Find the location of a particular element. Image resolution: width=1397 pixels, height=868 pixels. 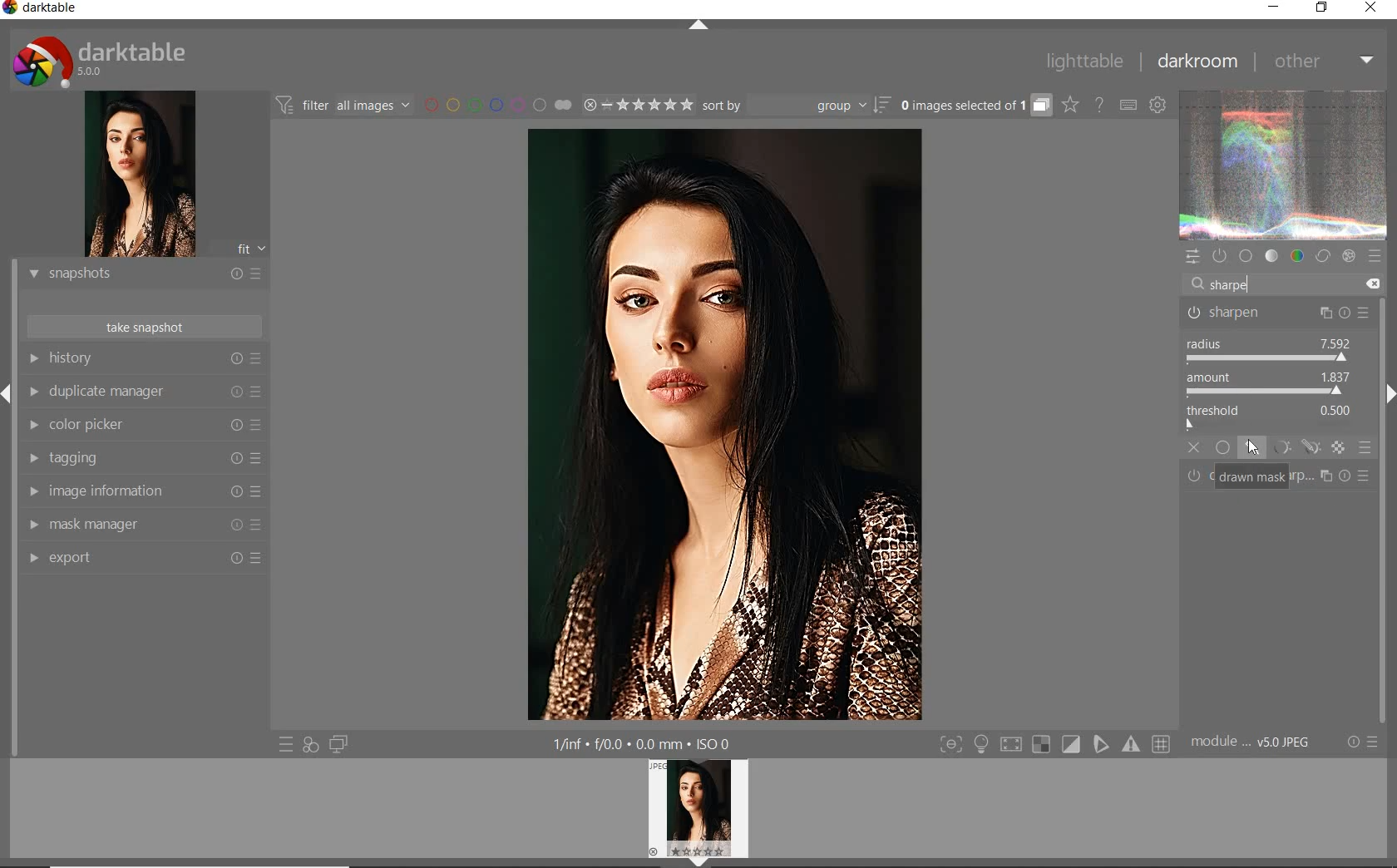

sign  is located at coordinates (1013, 746).